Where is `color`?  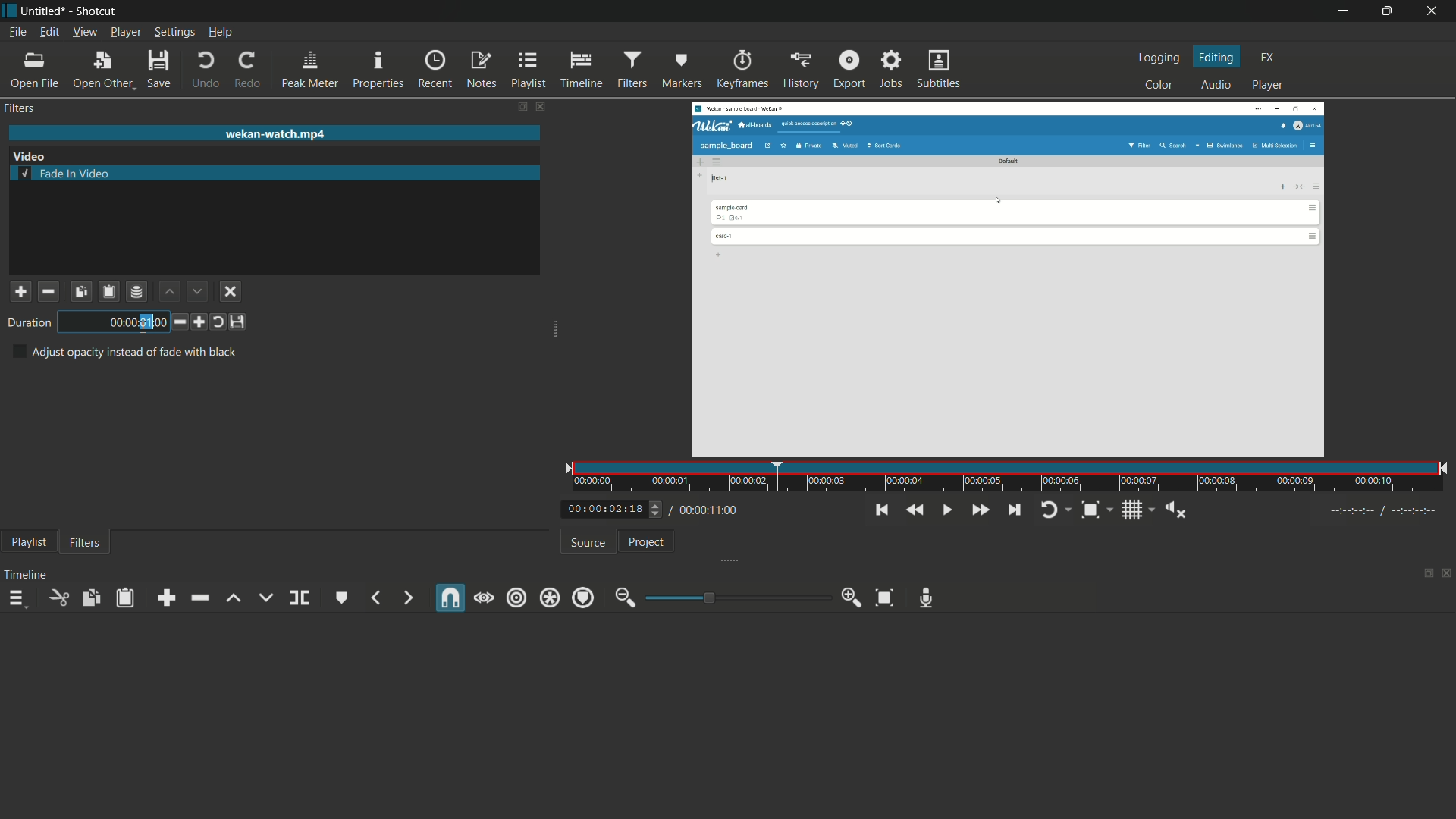 color is located at coordinates (1159, 85).